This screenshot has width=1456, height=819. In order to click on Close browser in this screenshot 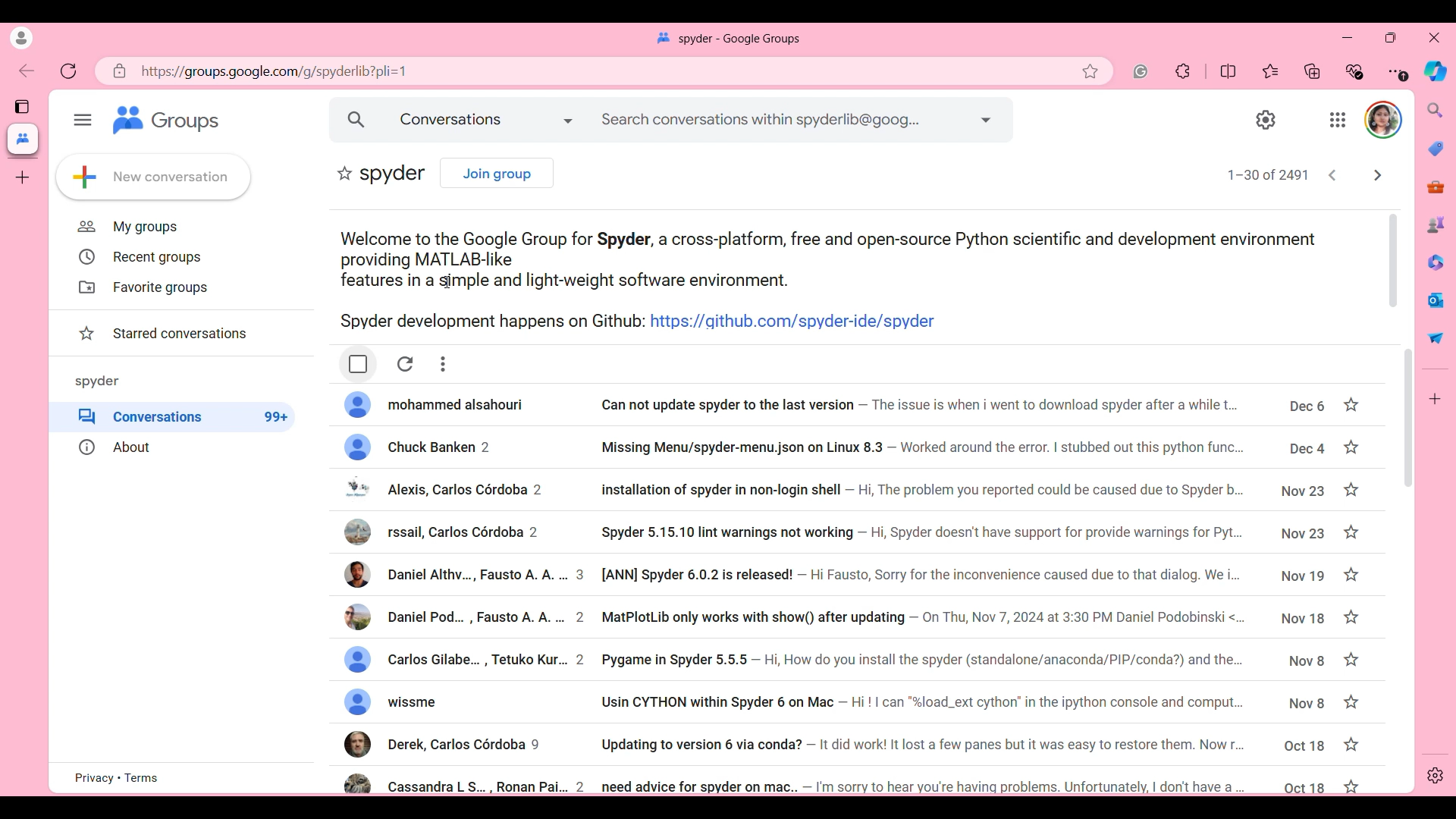, I will do `click(1434, 37)`.